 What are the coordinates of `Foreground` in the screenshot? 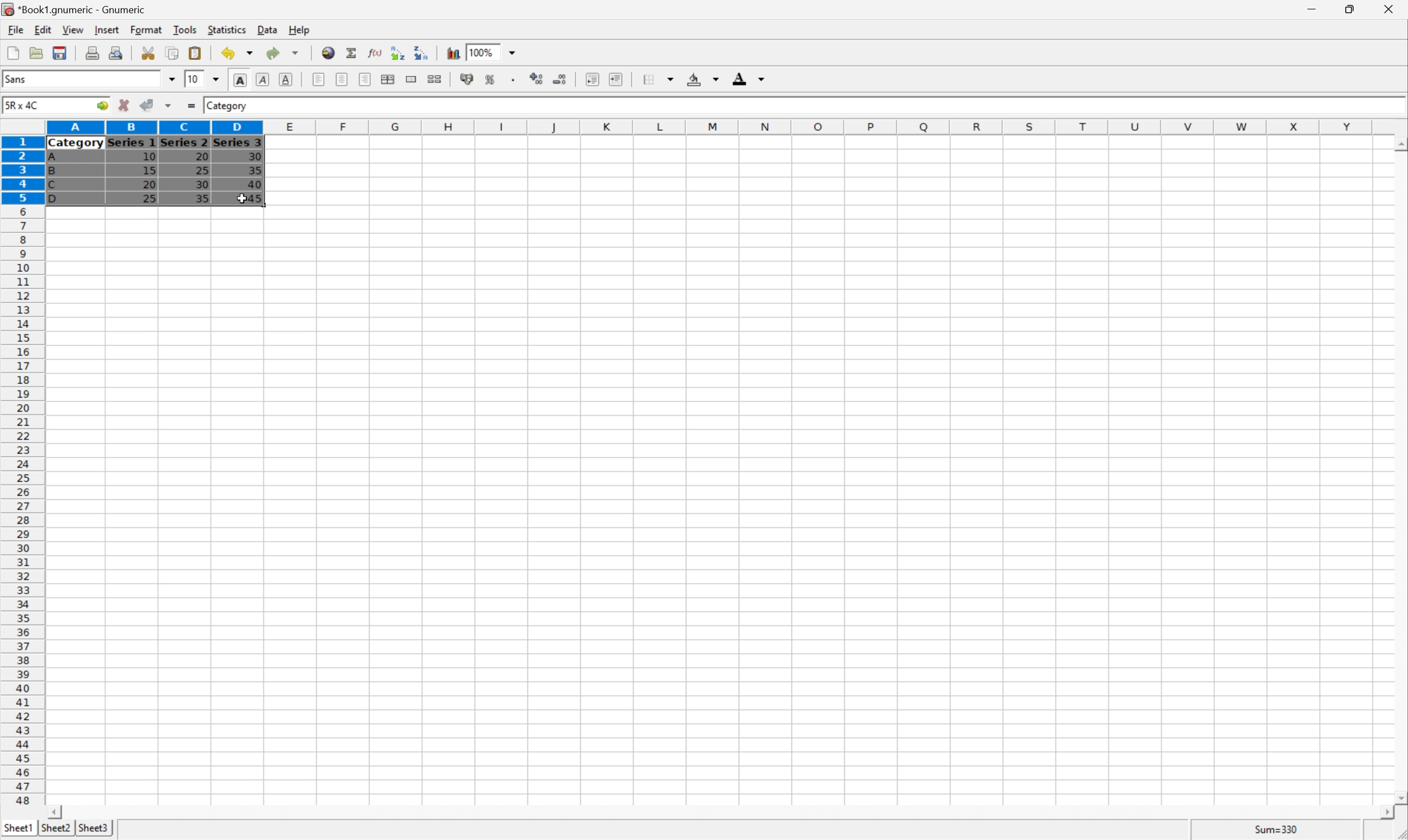 It's located at (747, 77).